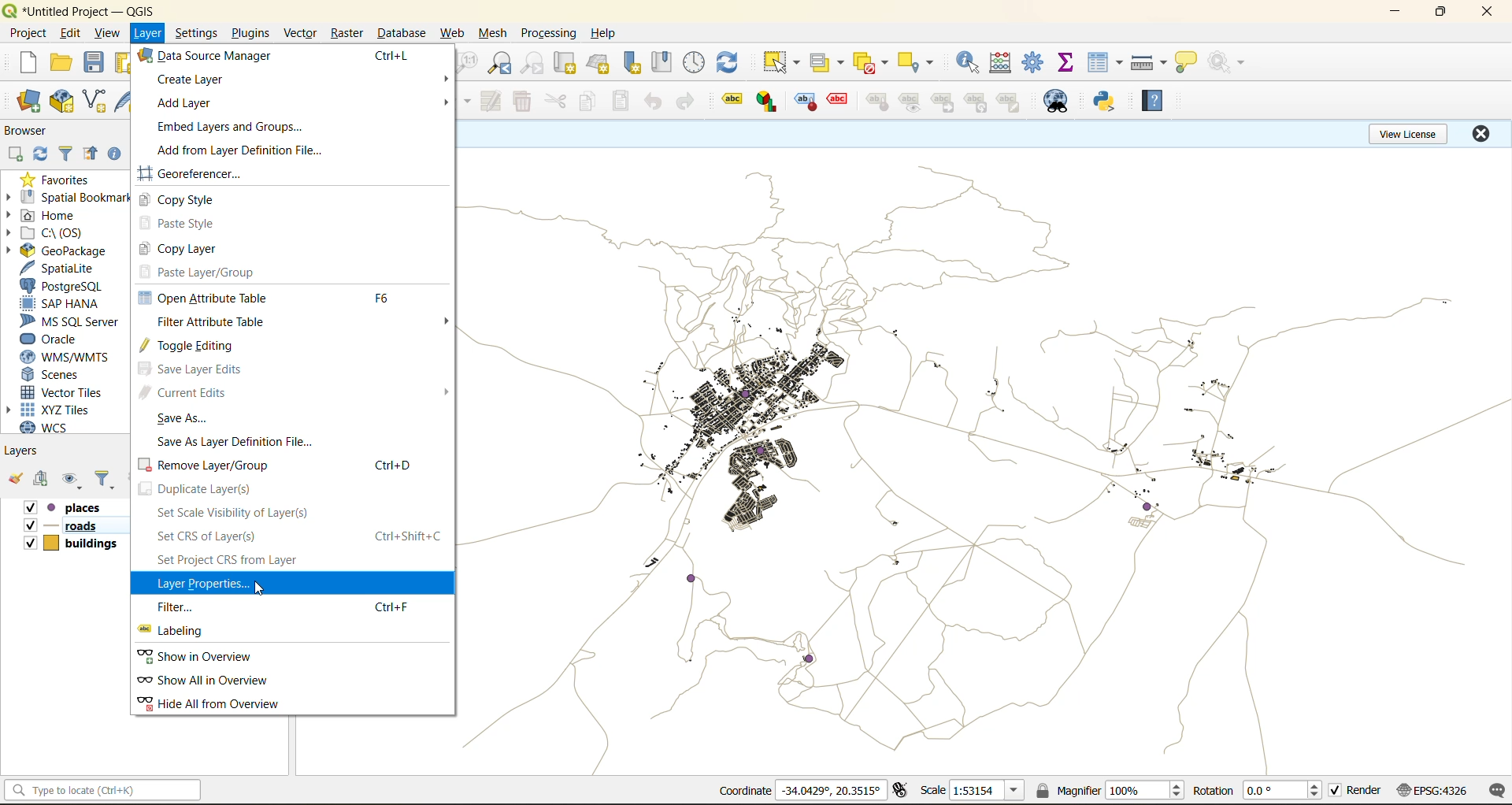 This screenshot has width=1512, height=805. Describe the element at coordinates (288, 465) in the screenshot. I see `remove layer` at that location.